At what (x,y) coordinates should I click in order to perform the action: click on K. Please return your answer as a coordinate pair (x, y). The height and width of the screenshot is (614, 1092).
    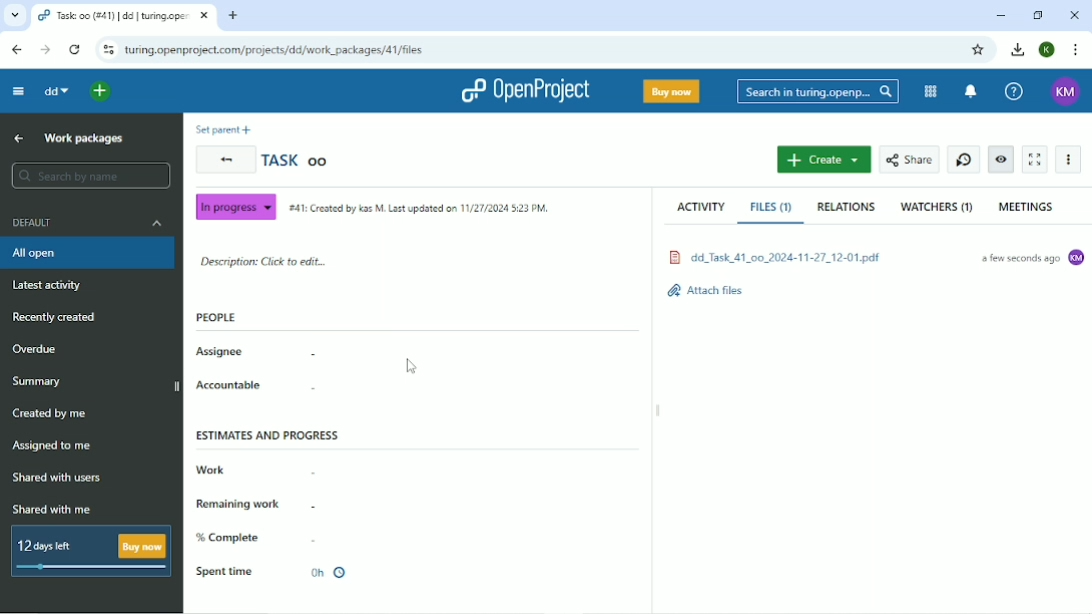
    Looking at the image, I should click on (1046, 50).